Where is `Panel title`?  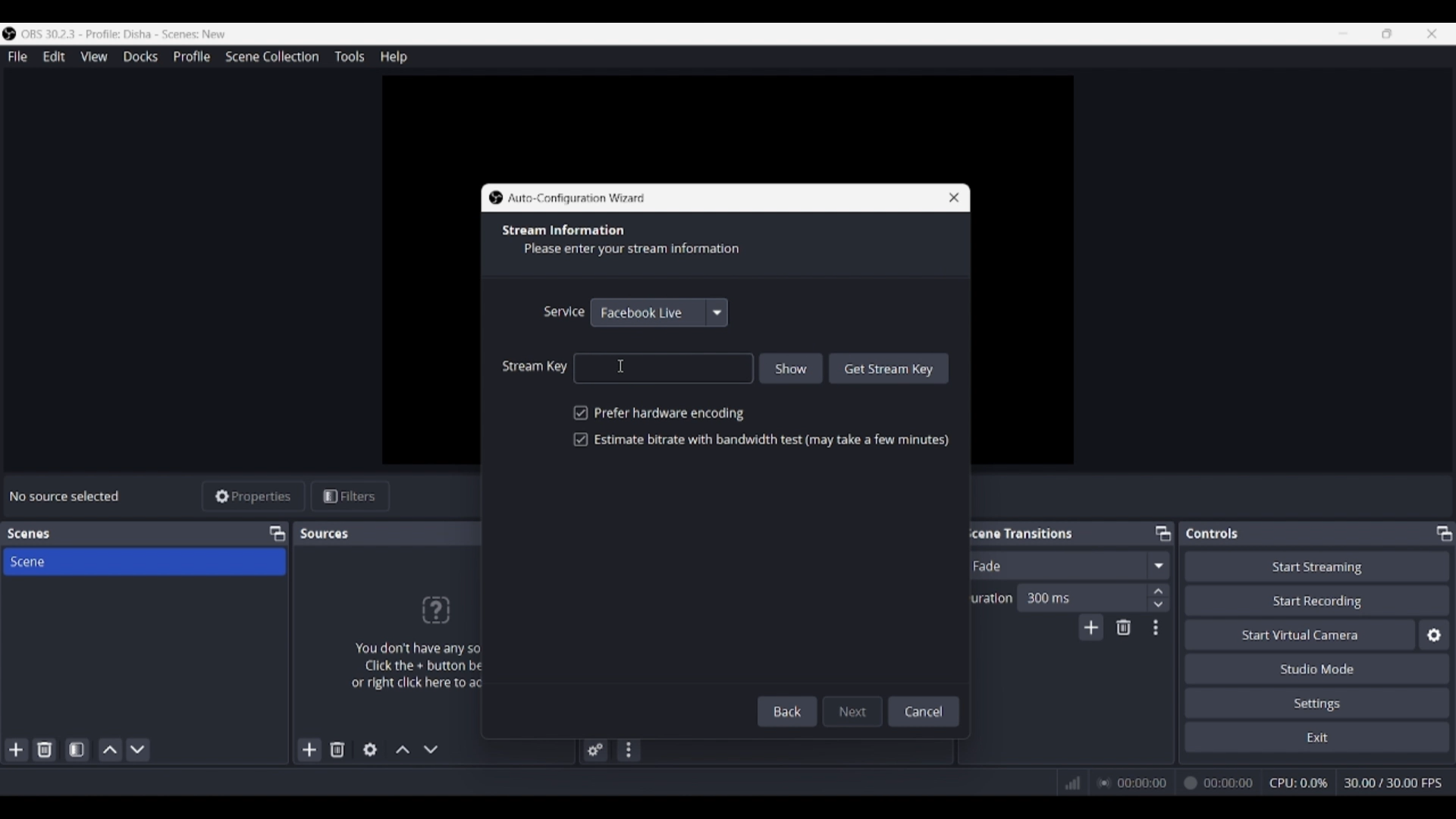 Panel title is located at coordinates (1213, 533).